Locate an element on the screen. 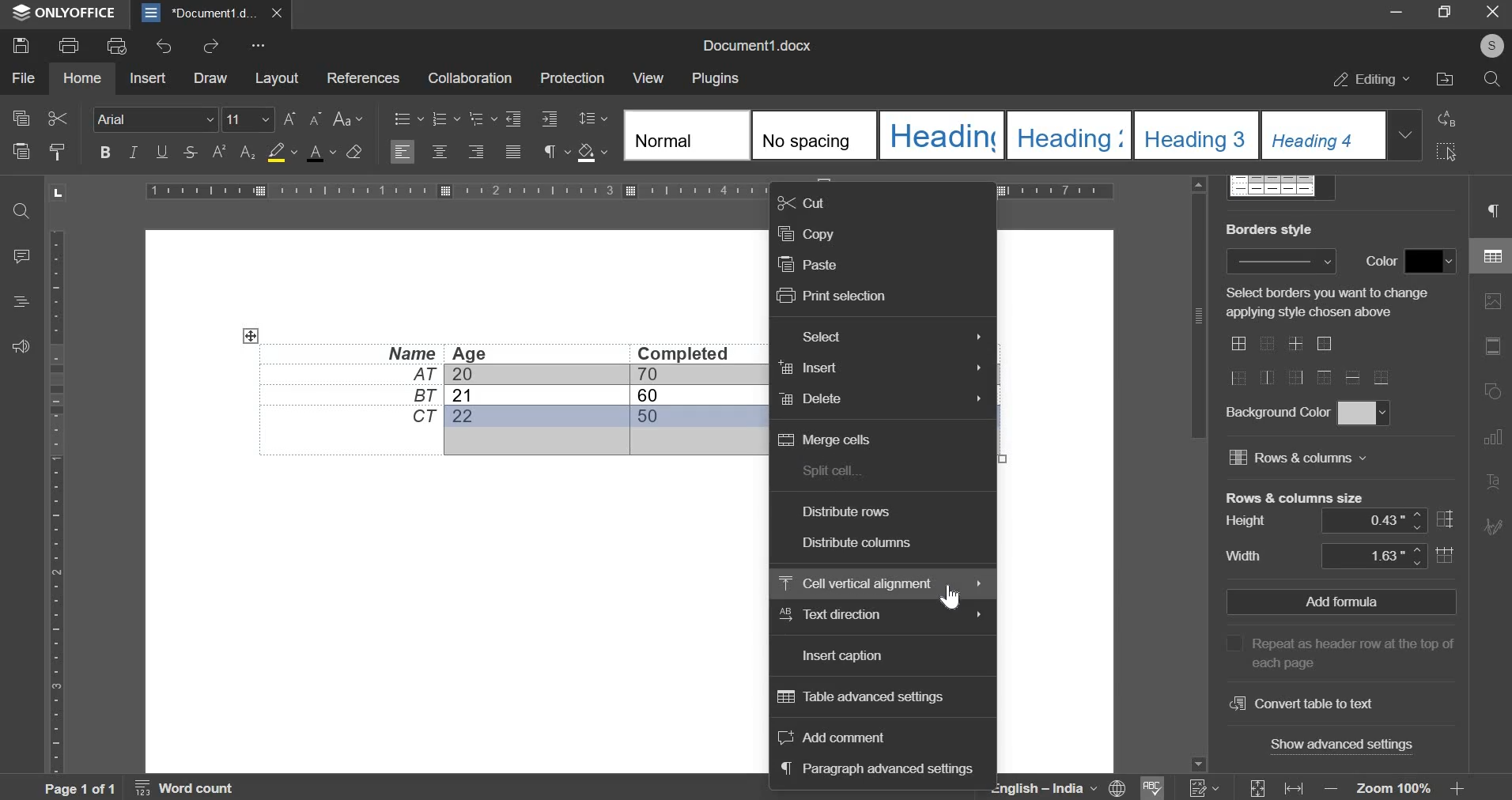 This screenshot has width=1512, height=800. align right is located at coordinates (476, 152).